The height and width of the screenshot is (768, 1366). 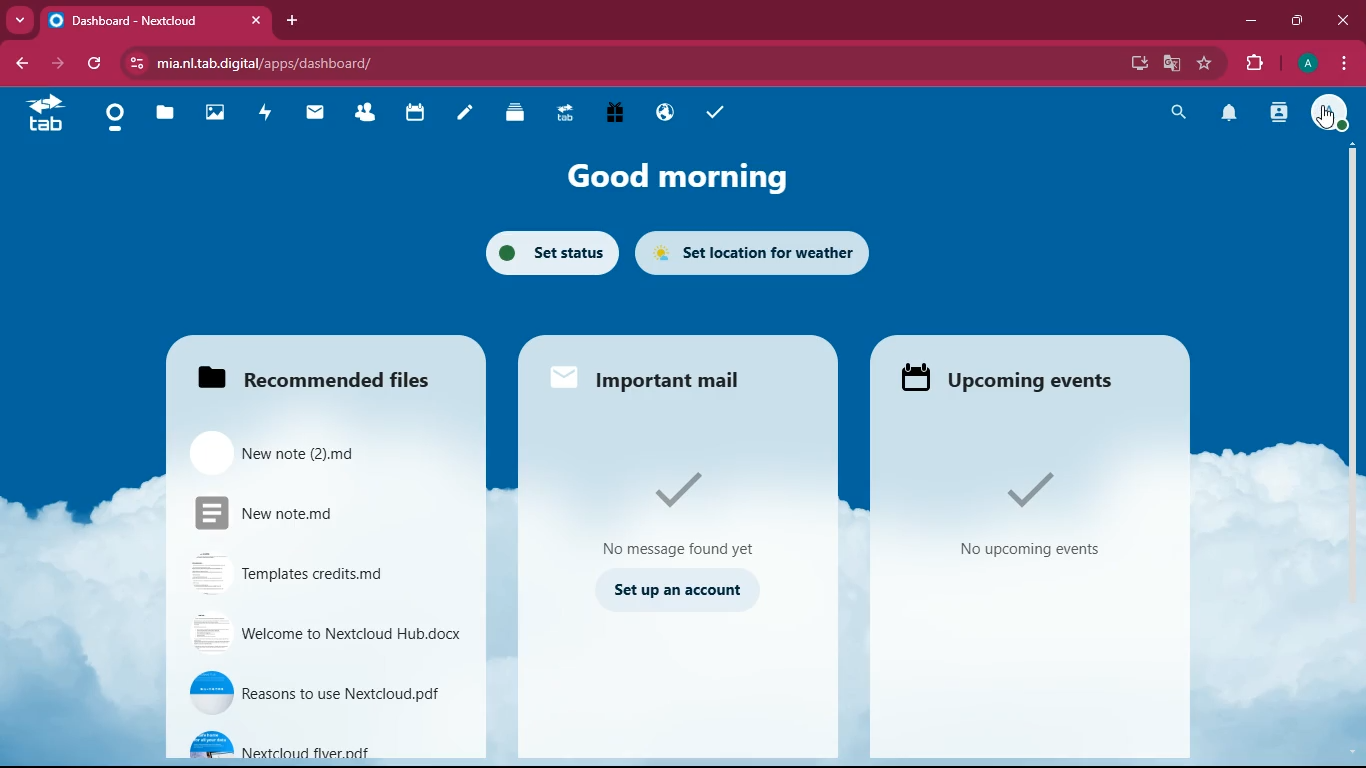 I want to click on mia.nl.tab.digital/apps/dashboard/, so click(x=276, y=63).